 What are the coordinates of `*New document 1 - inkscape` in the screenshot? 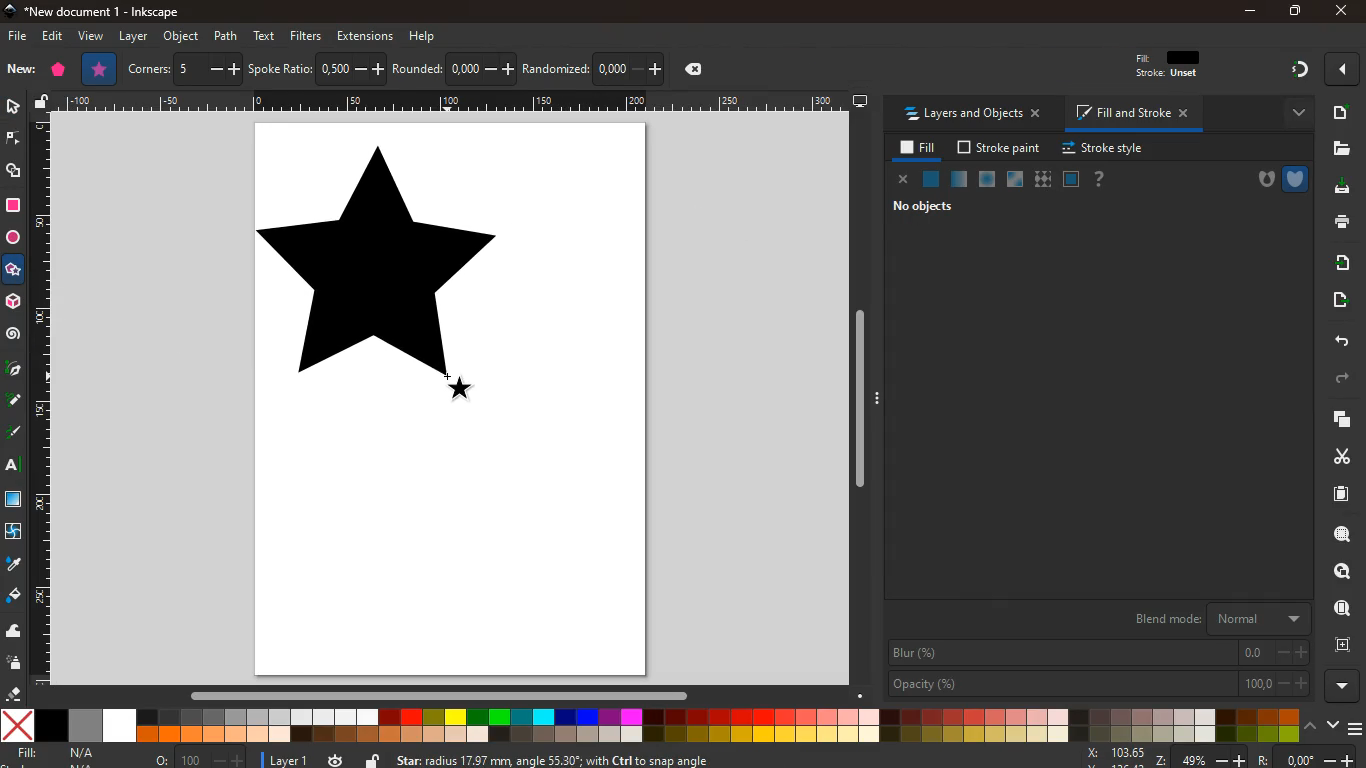 It's located at (102, 12).